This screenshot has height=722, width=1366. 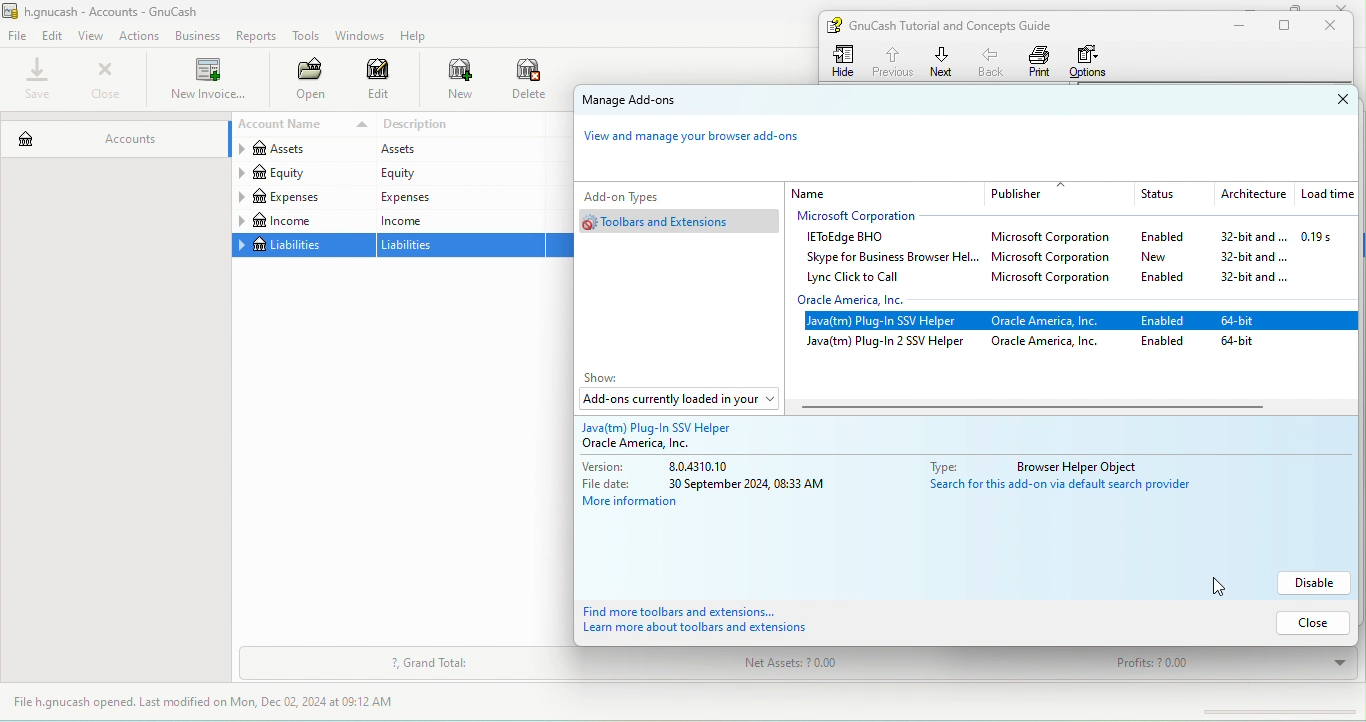 What do you see at coordinates (1168, 343) in the screenshot?
I see `enable` at bounding box center [1168, 343].